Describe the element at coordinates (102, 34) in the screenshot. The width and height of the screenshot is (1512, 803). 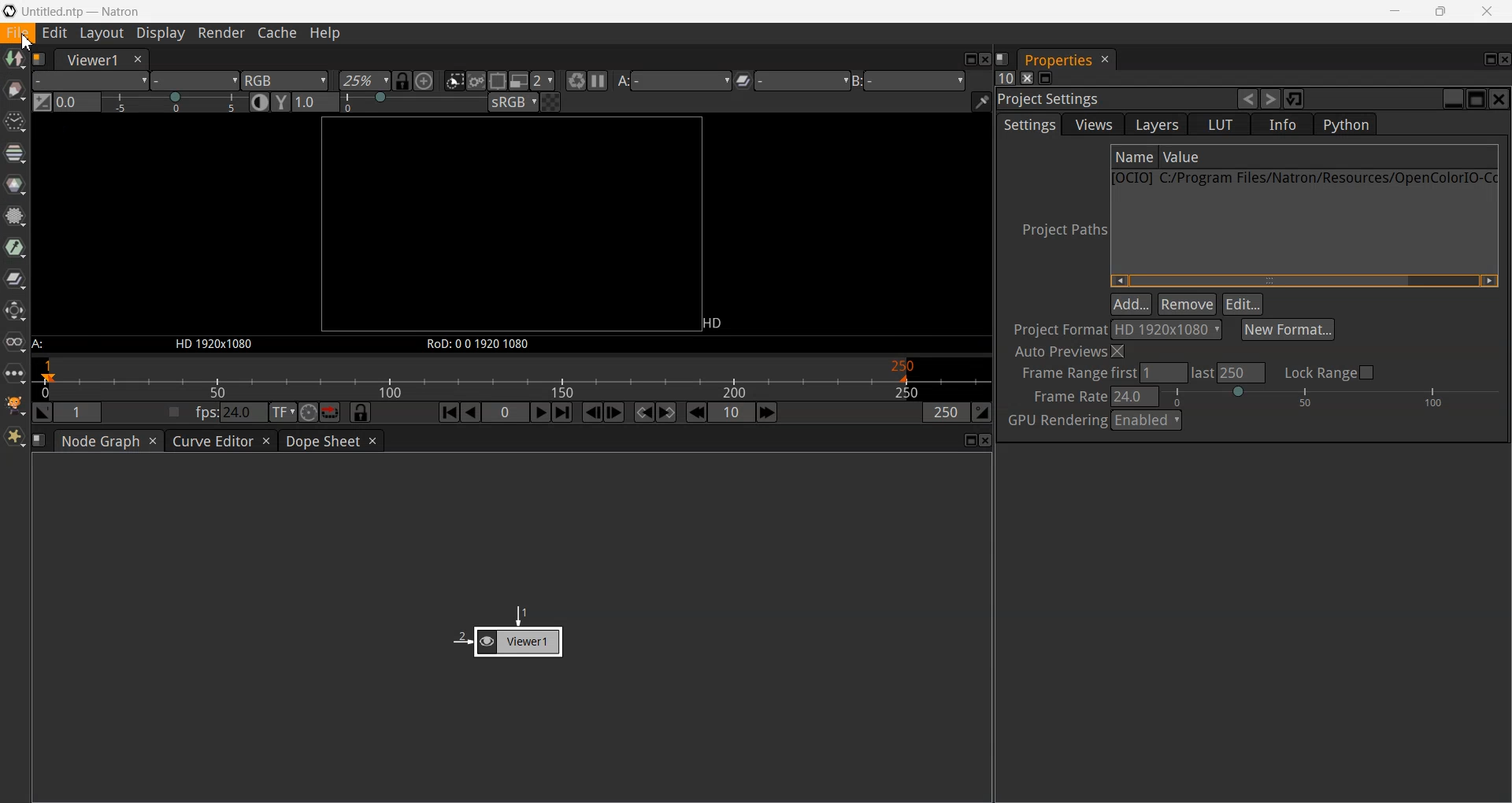
I see `Layout` at that location.